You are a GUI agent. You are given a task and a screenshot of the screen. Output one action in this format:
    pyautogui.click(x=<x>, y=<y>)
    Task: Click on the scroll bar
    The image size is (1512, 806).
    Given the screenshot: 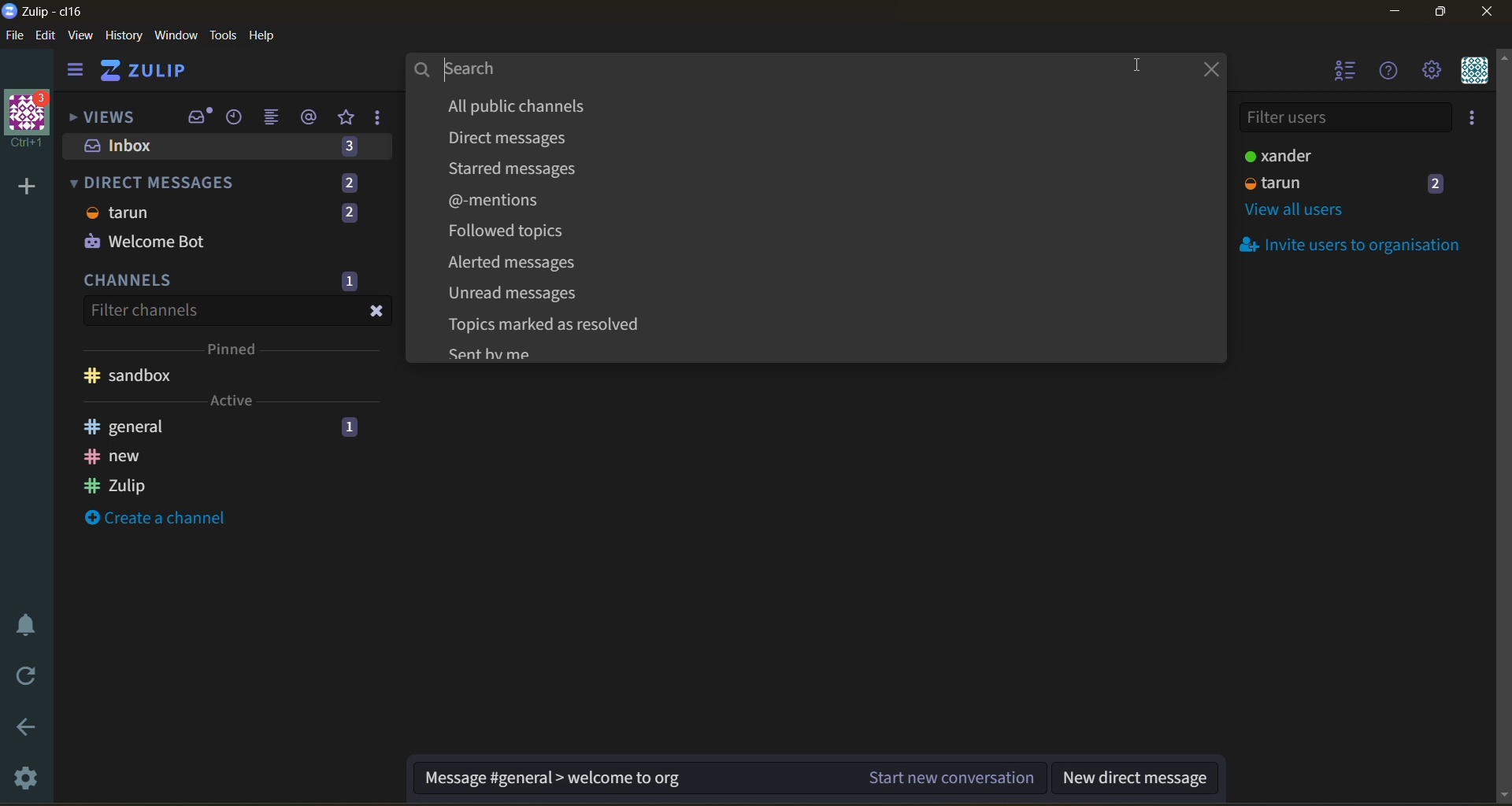 What is the action you would take?
    pyautogui.click(x=1503, y=427)
    